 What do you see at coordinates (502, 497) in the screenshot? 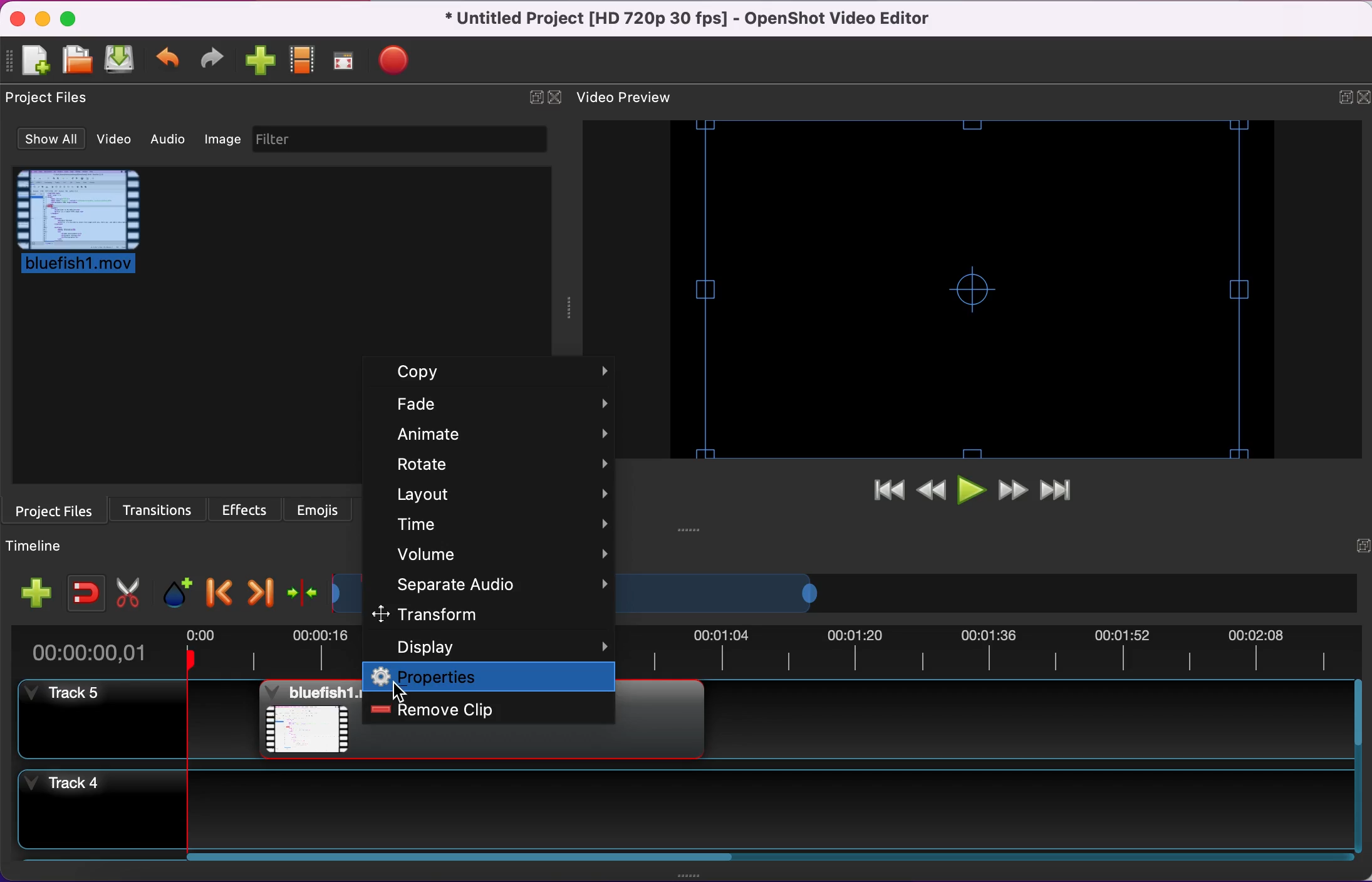
I see `layout` at bounding box center [502, 497].